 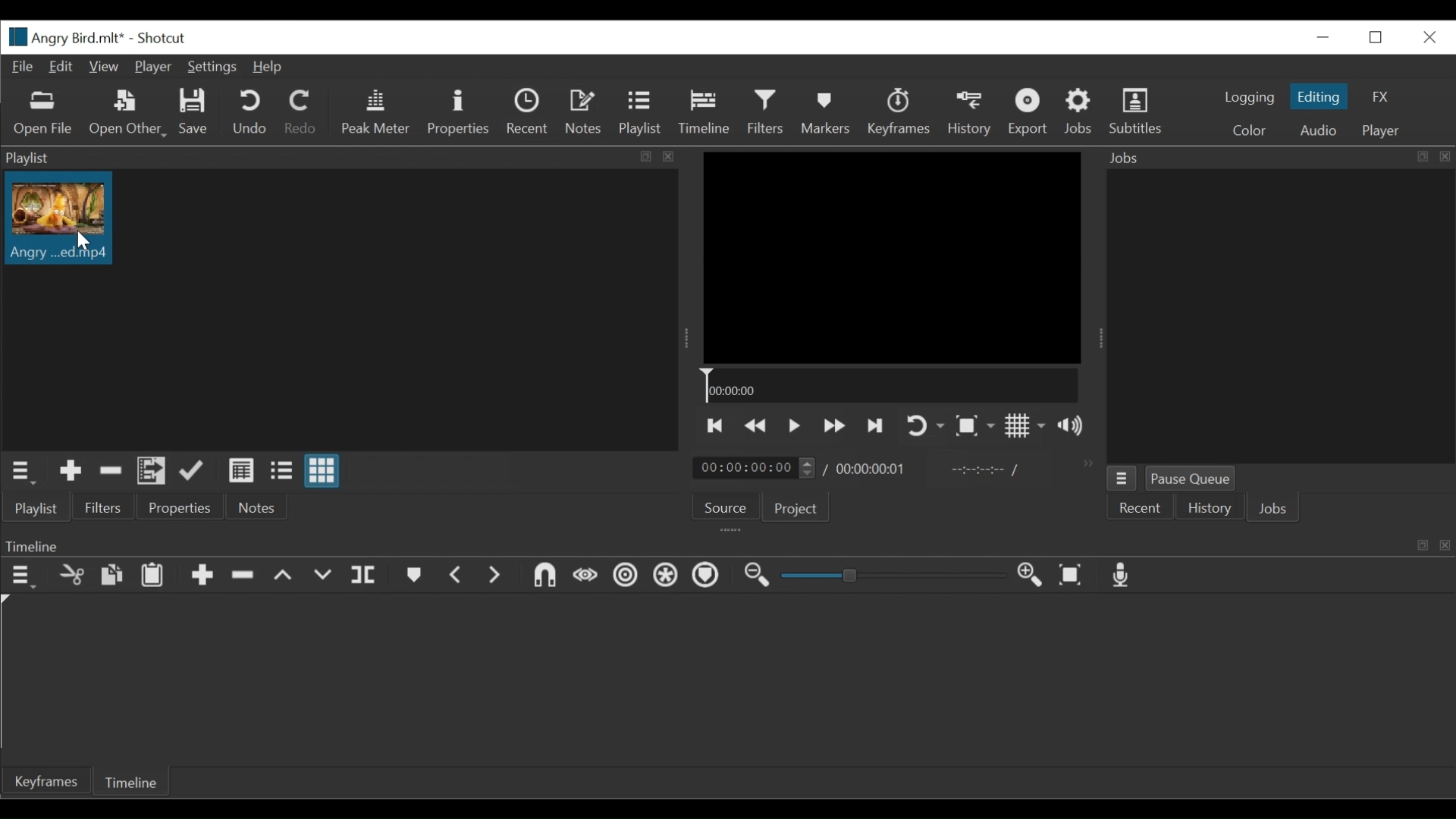 What do you see at coordinates (152, 471) in the screenshot?
I see `Add files to the playlist` at bounding box center [152, 471].